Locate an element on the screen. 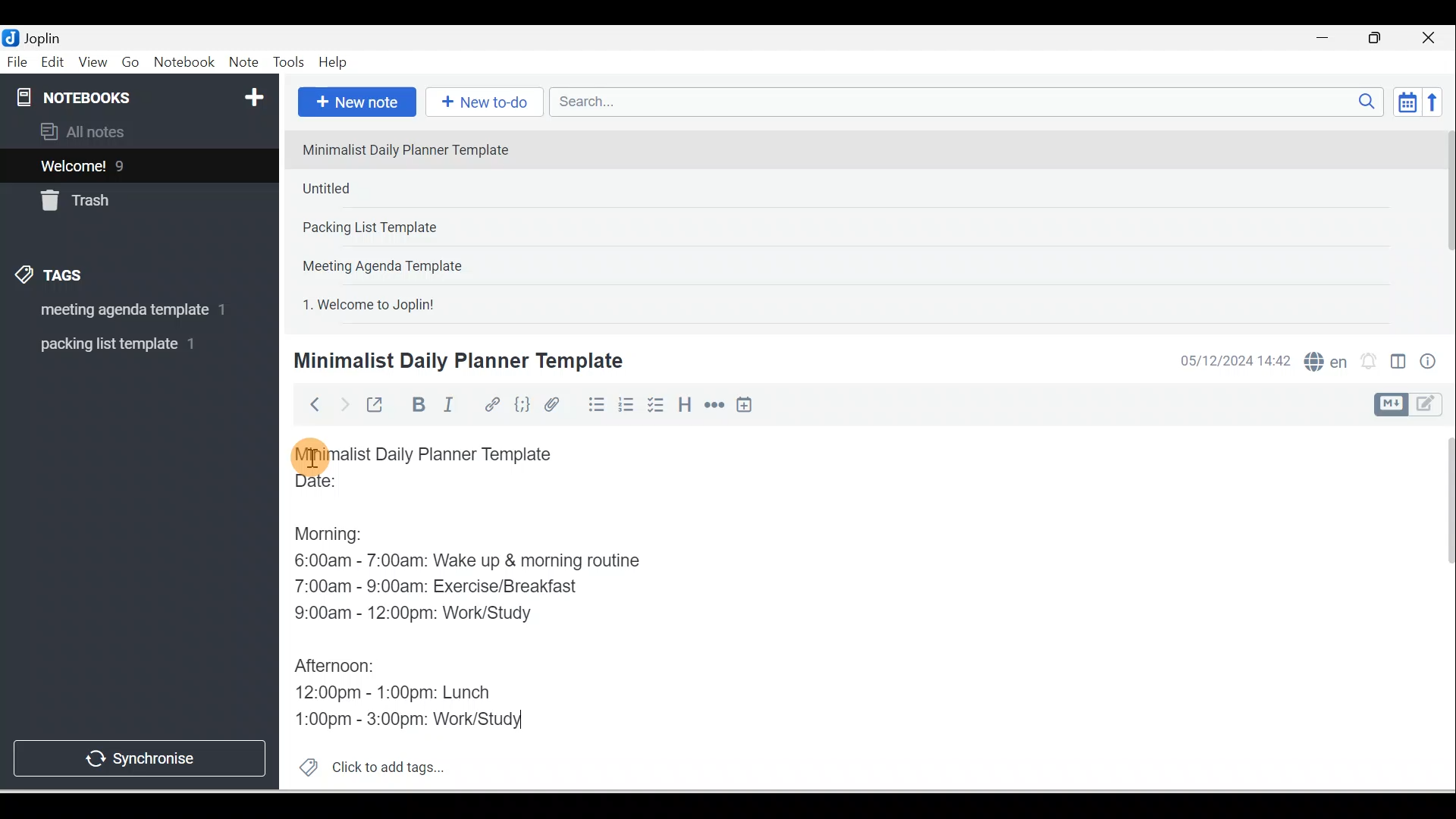  Bulleted list is located at coordinates (593, 404).